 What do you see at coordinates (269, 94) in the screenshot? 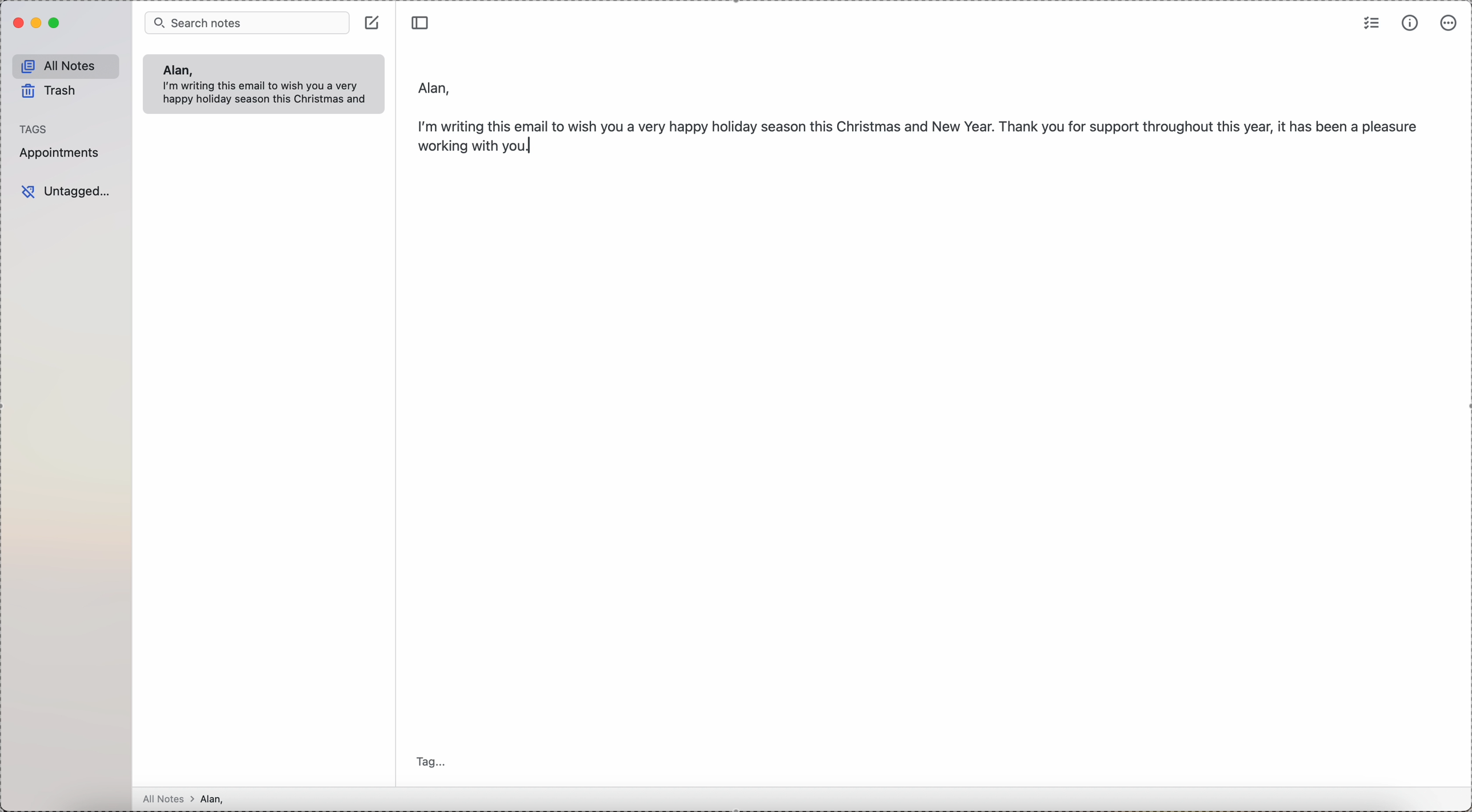
I see `body text: I'm writing this email to wish you a very happy holiday season this Christmas and` at bounding box center [269, 94].